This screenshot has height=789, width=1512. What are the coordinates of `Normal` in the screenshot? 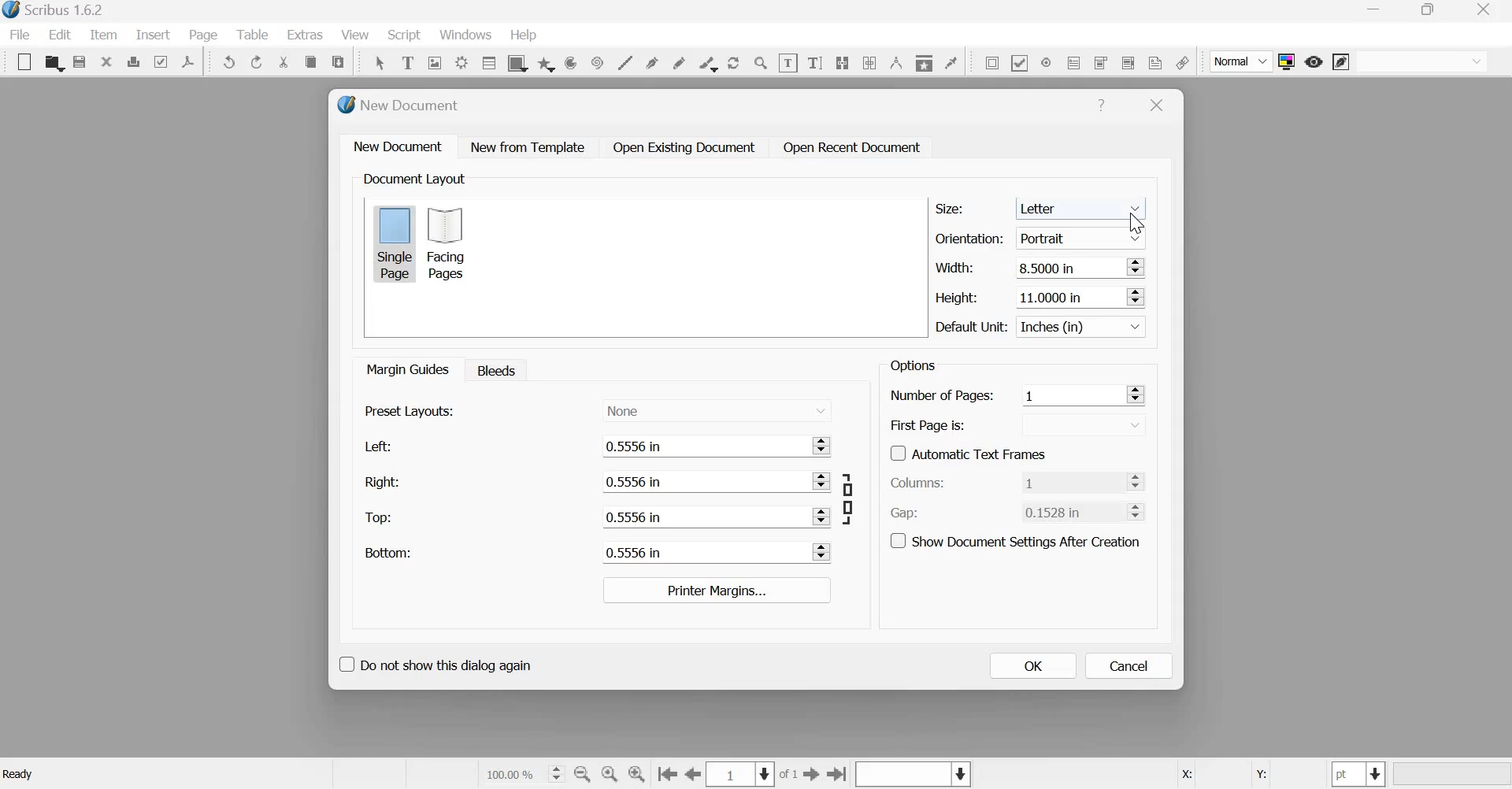 It's located at (1242, 62).